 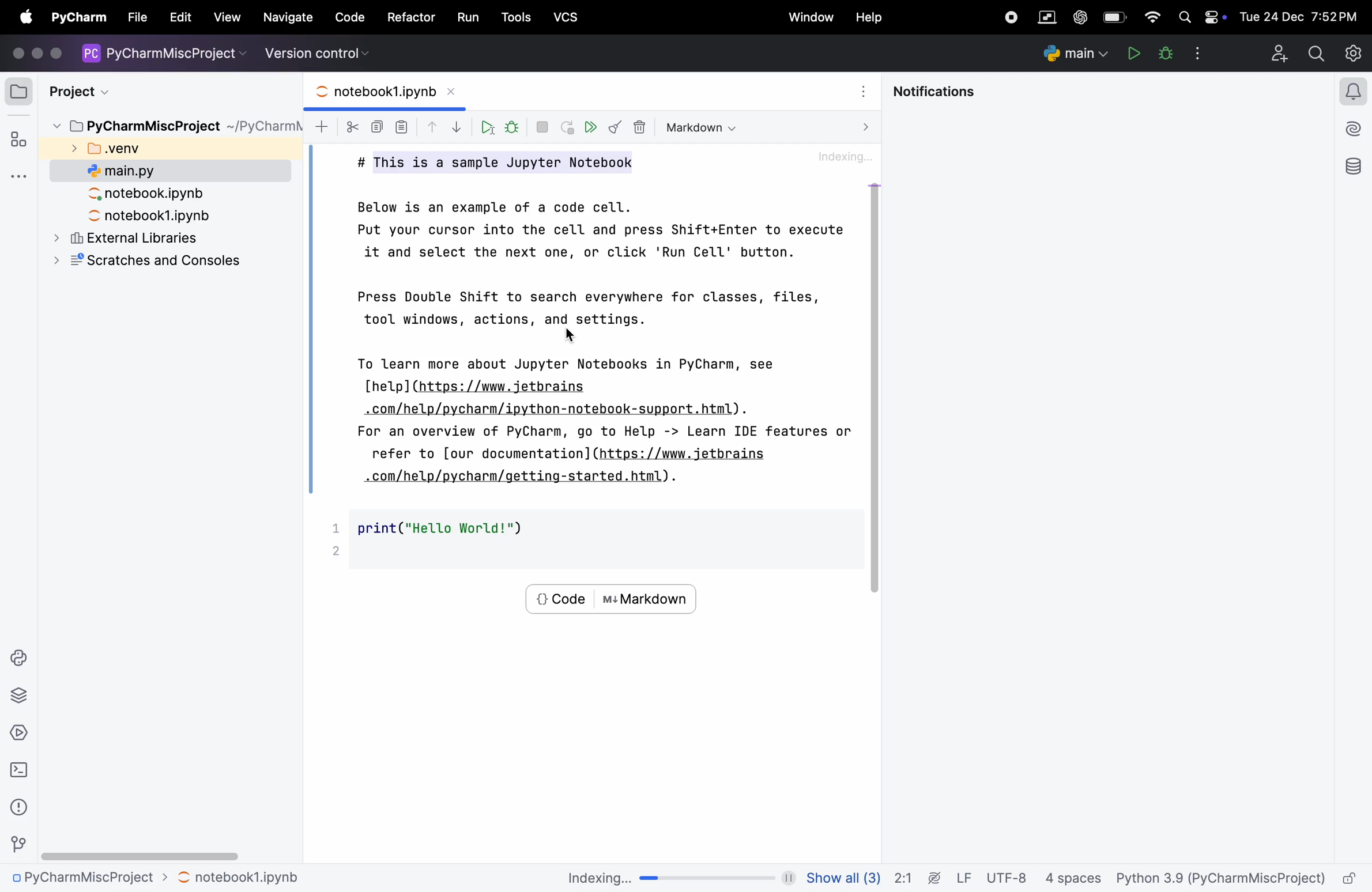 I want to click on options, so click(x=18, y=177).